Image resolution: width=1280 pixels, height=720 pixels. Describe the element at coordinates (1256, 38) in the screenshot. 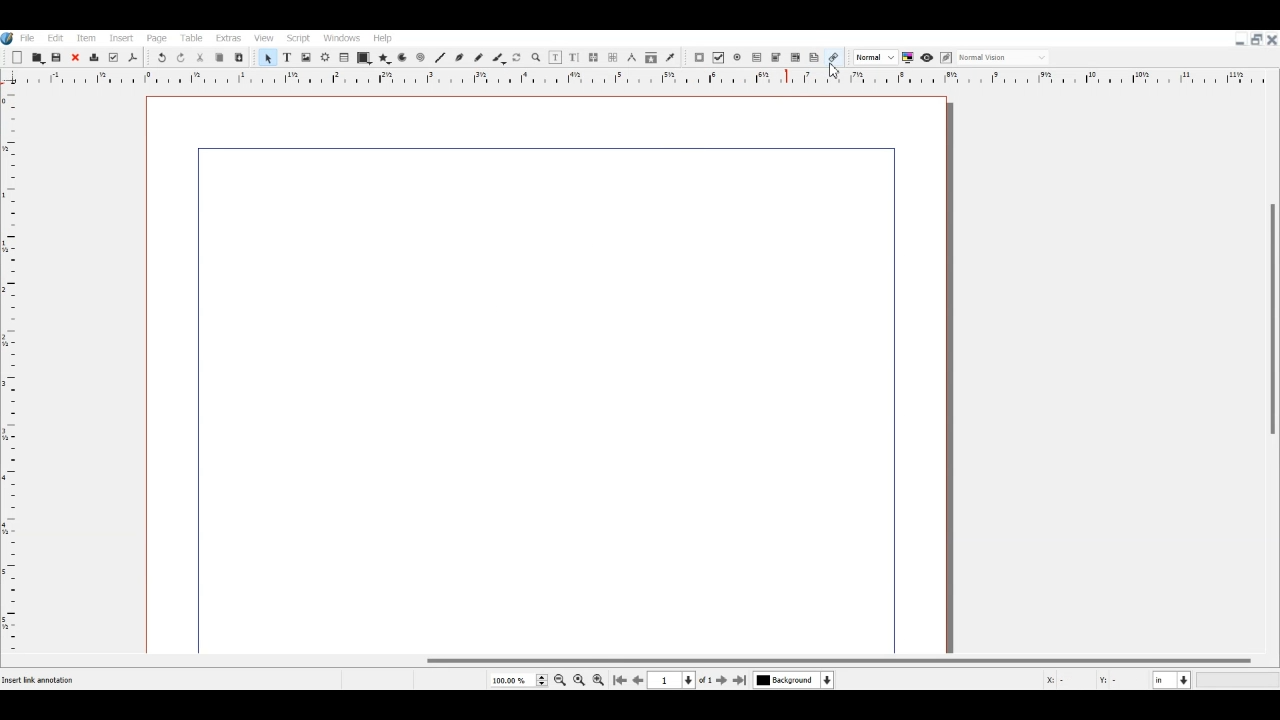

I see `Maximize` at that location.